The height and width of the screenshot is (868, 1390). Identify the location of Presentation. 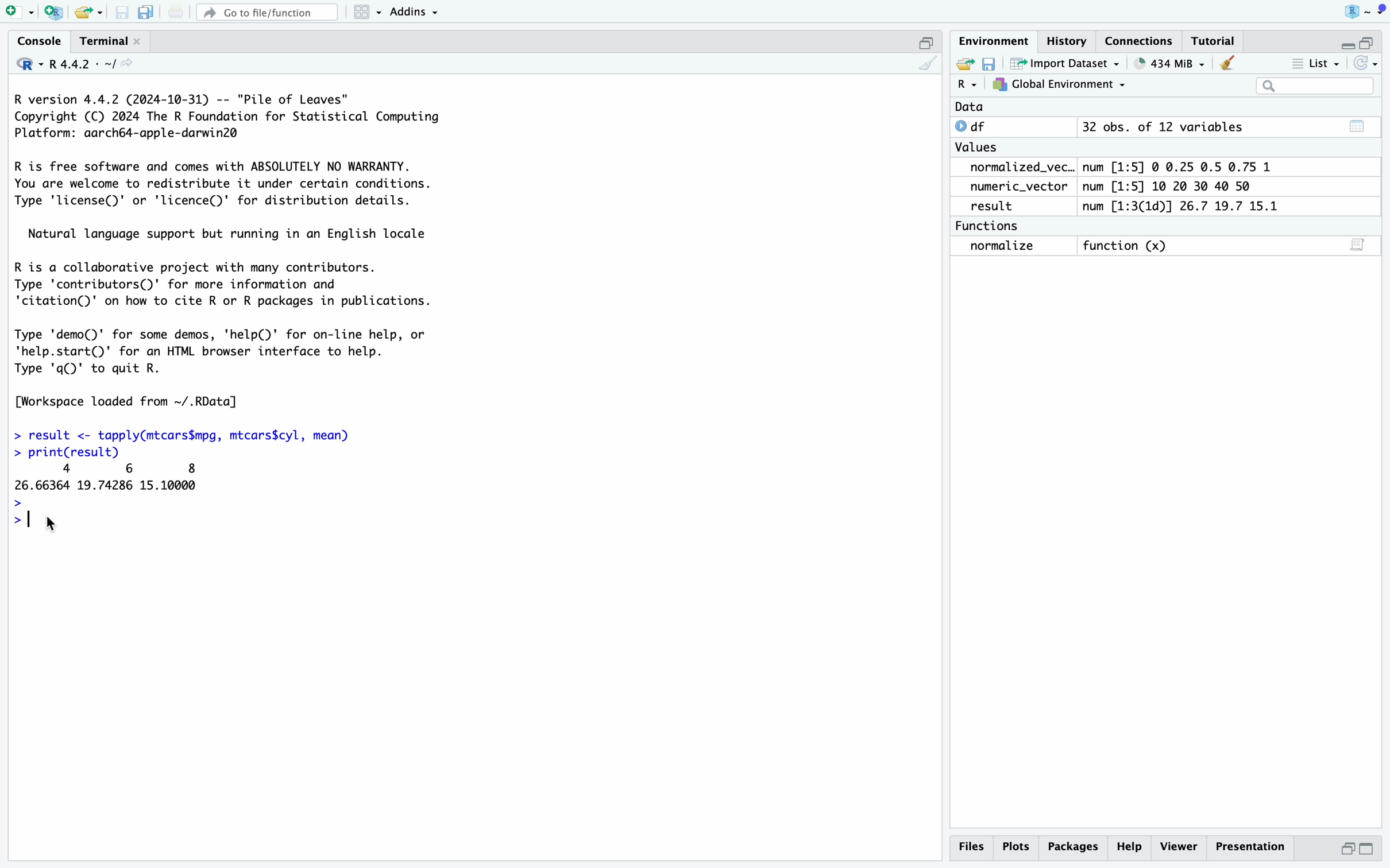
(1250, 847).